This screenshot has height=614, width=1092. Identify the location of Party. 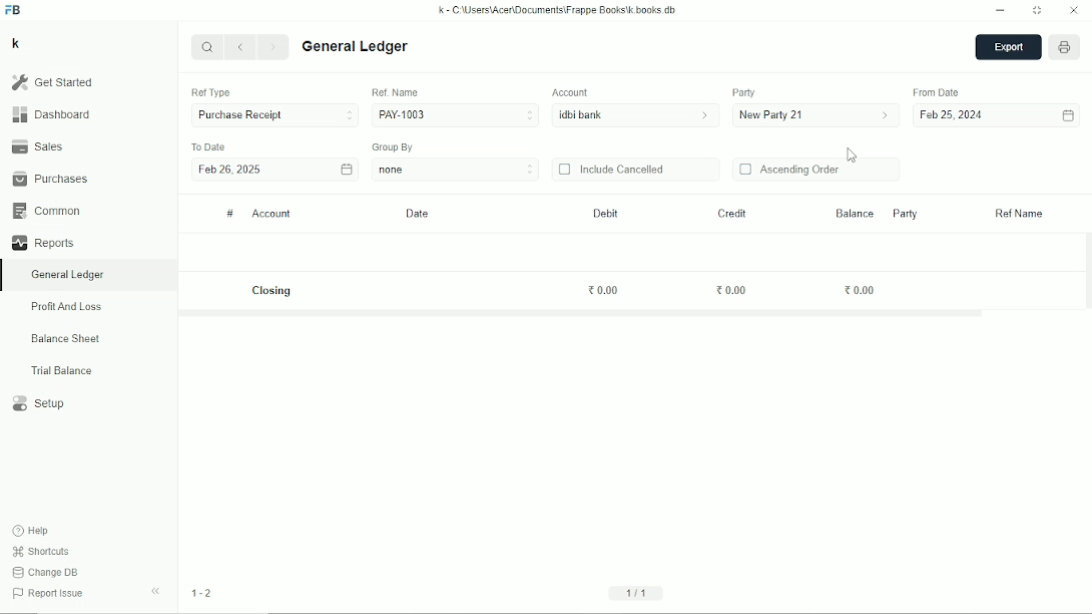
(744, 93).